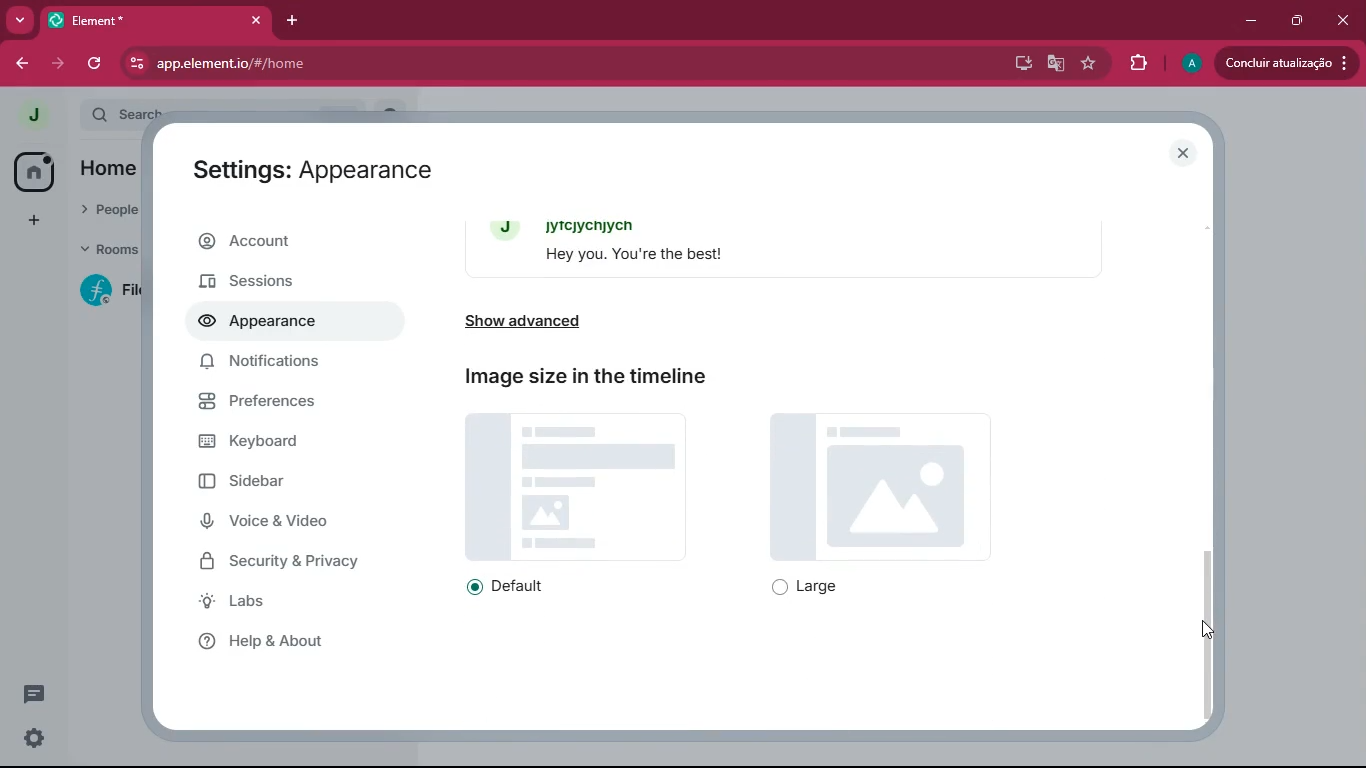 This screenshot has height=768, width=1366. I want to click on security & privacy, so click(295, 561).